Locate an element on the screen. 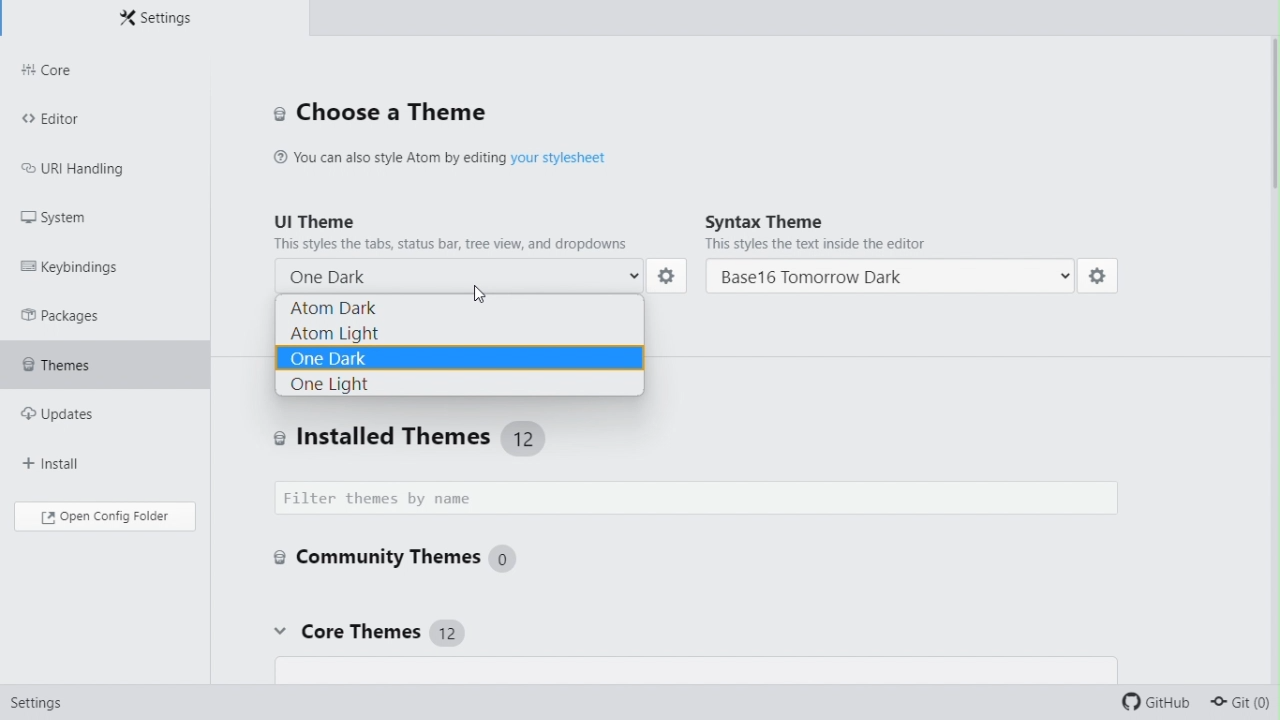 This screenshot has width=1280, height=720. atom dark is located at coordinates (464, 307).